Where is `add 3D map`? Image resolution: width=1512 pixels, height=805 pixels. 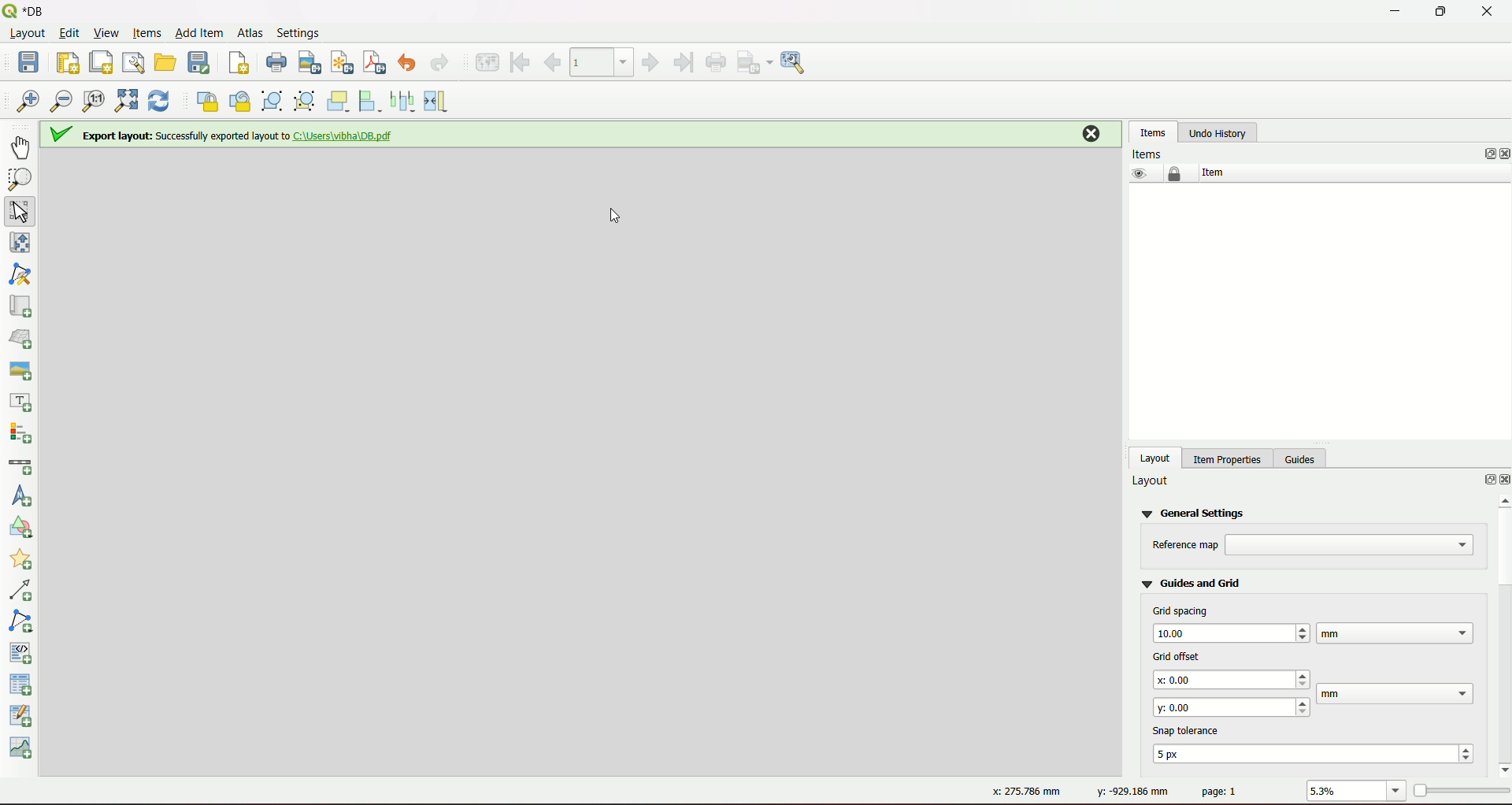
add 3D map is located at coordinates (23, 337).